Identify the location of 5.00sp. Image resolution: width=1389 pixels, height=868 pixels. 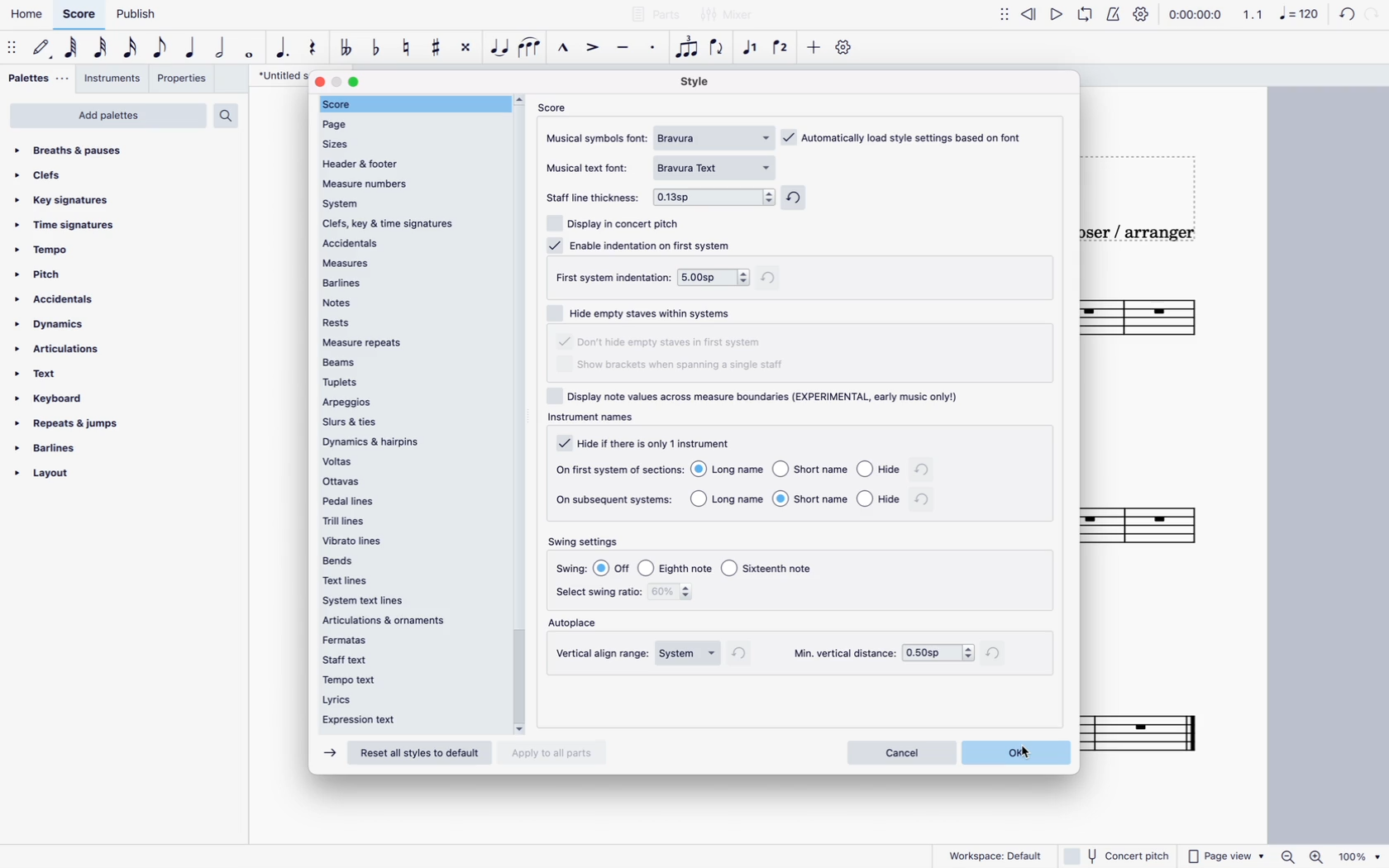
(724, 276).